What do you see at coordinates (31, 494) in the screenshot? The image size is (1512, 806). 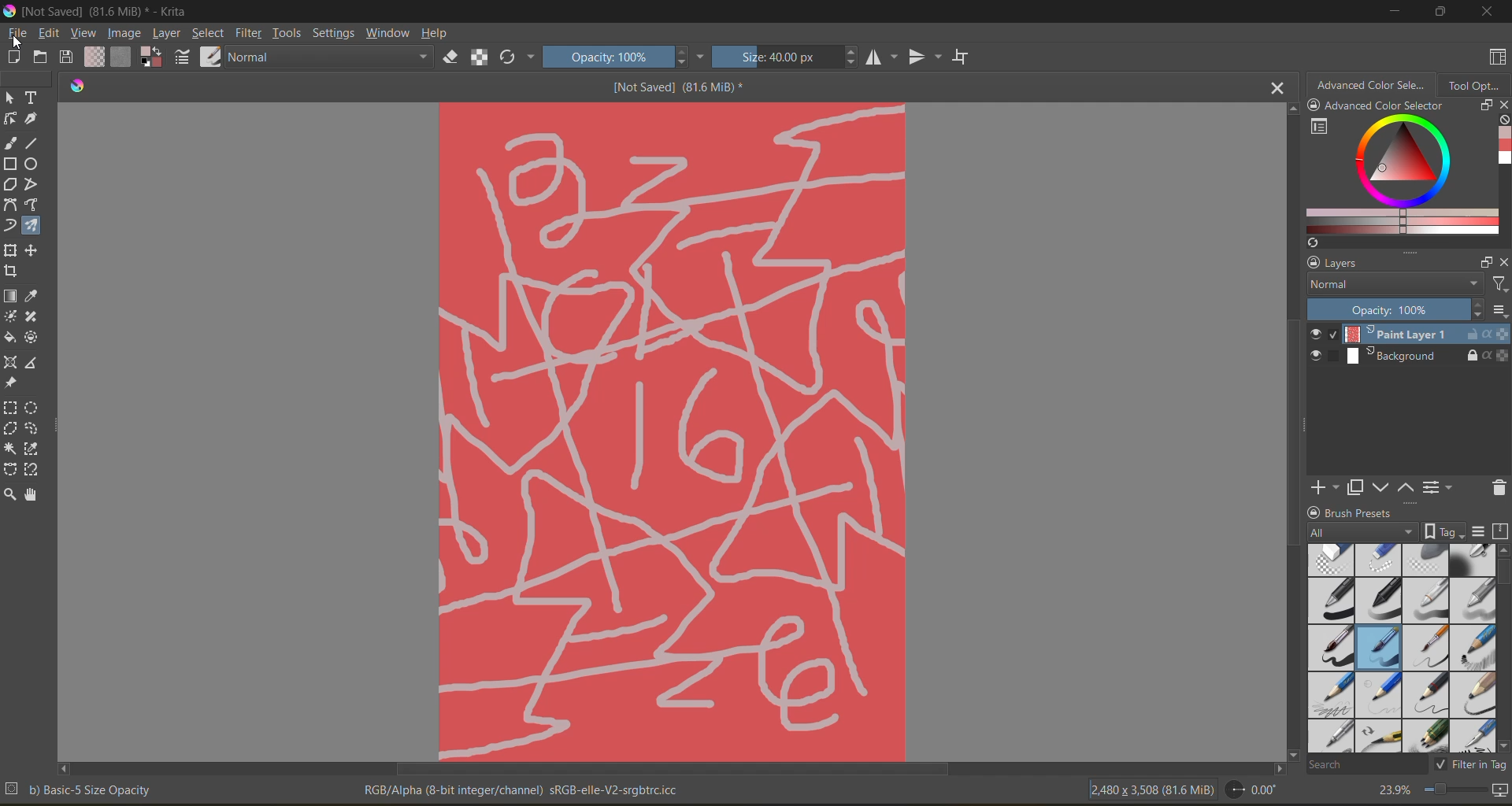 I see `tool` at bounding box center [31, 494].